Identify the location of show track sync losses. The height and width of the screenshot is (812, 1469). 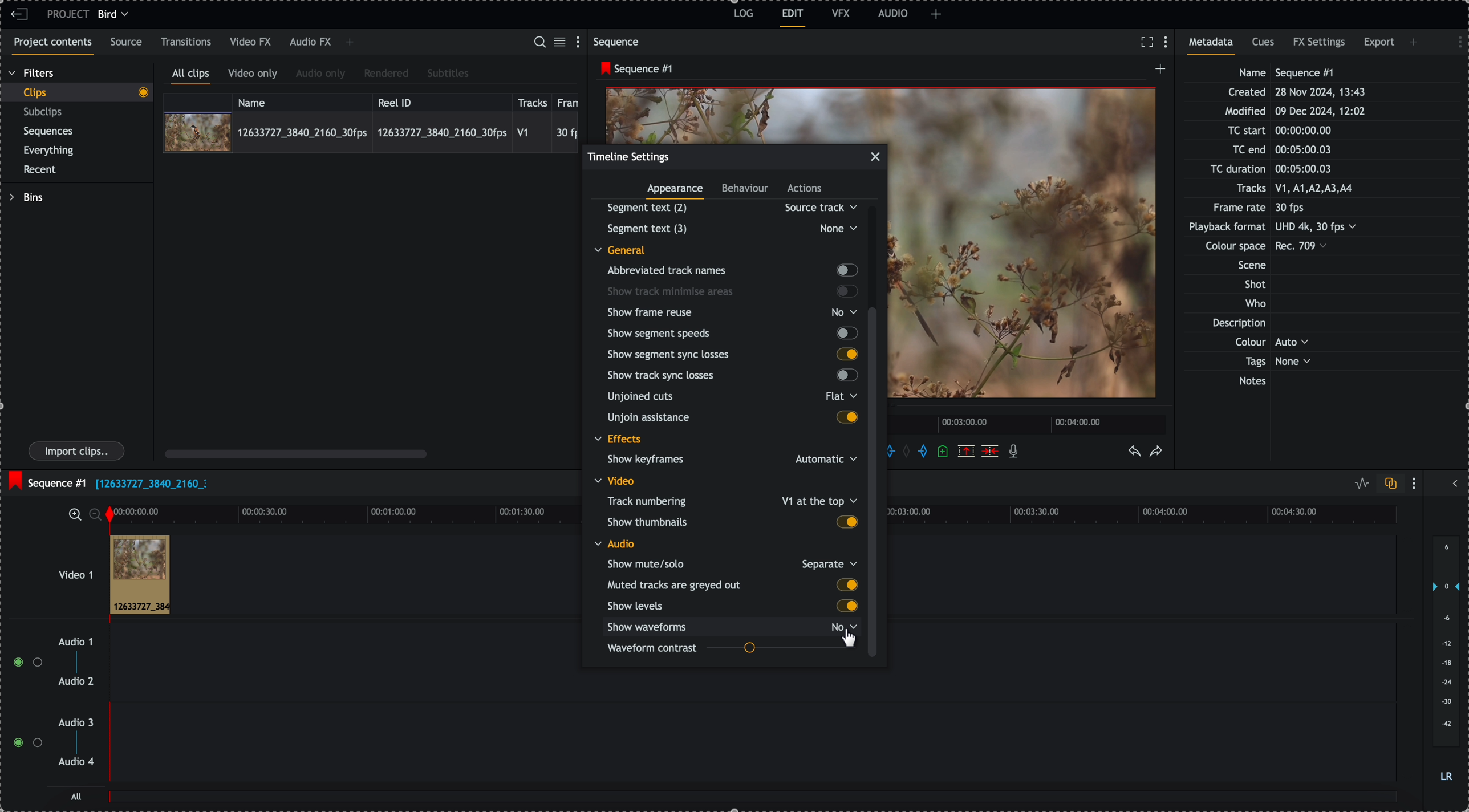
(729, 376).